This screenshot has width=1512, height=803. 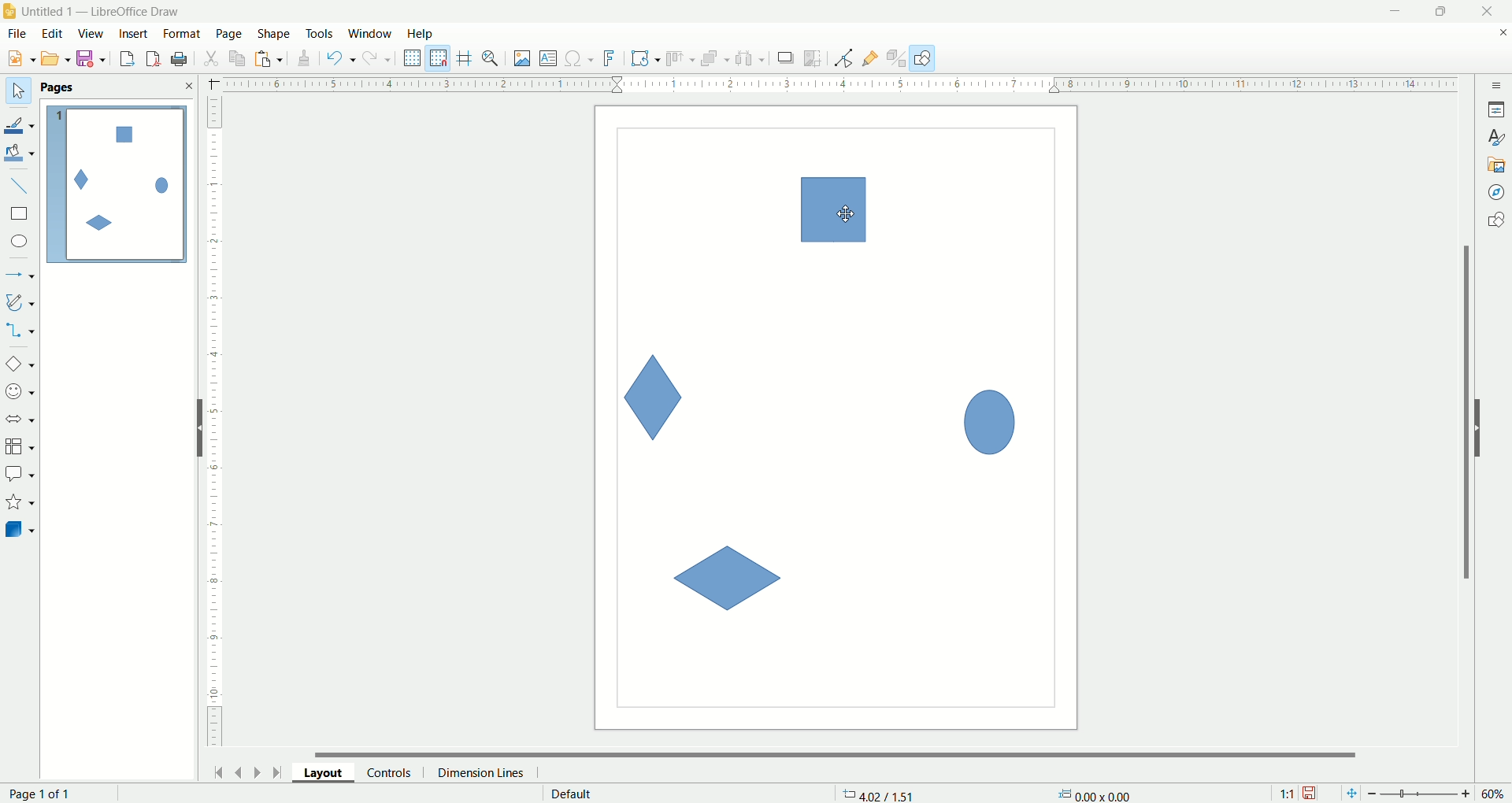 I want to click on unselected shape, so click(x=654, y=397).